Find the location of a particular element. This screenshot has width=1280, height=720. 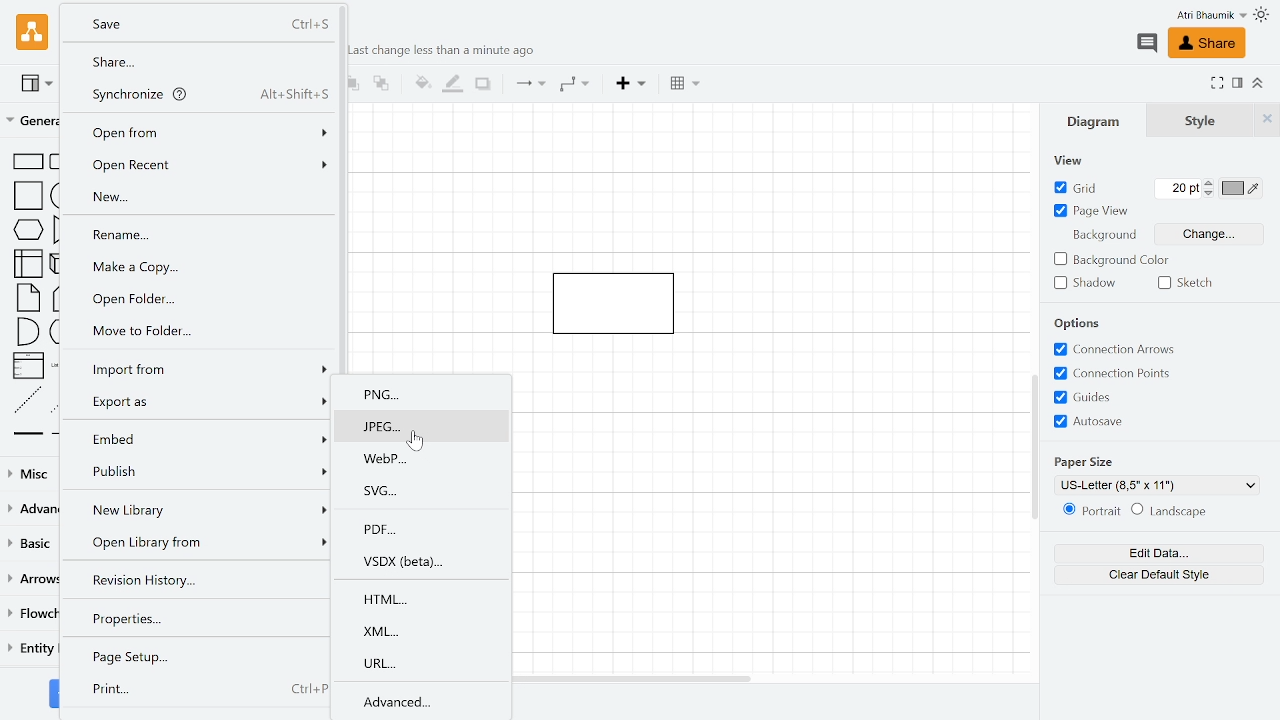

Grid pts is located at coordinates (1179, 189).